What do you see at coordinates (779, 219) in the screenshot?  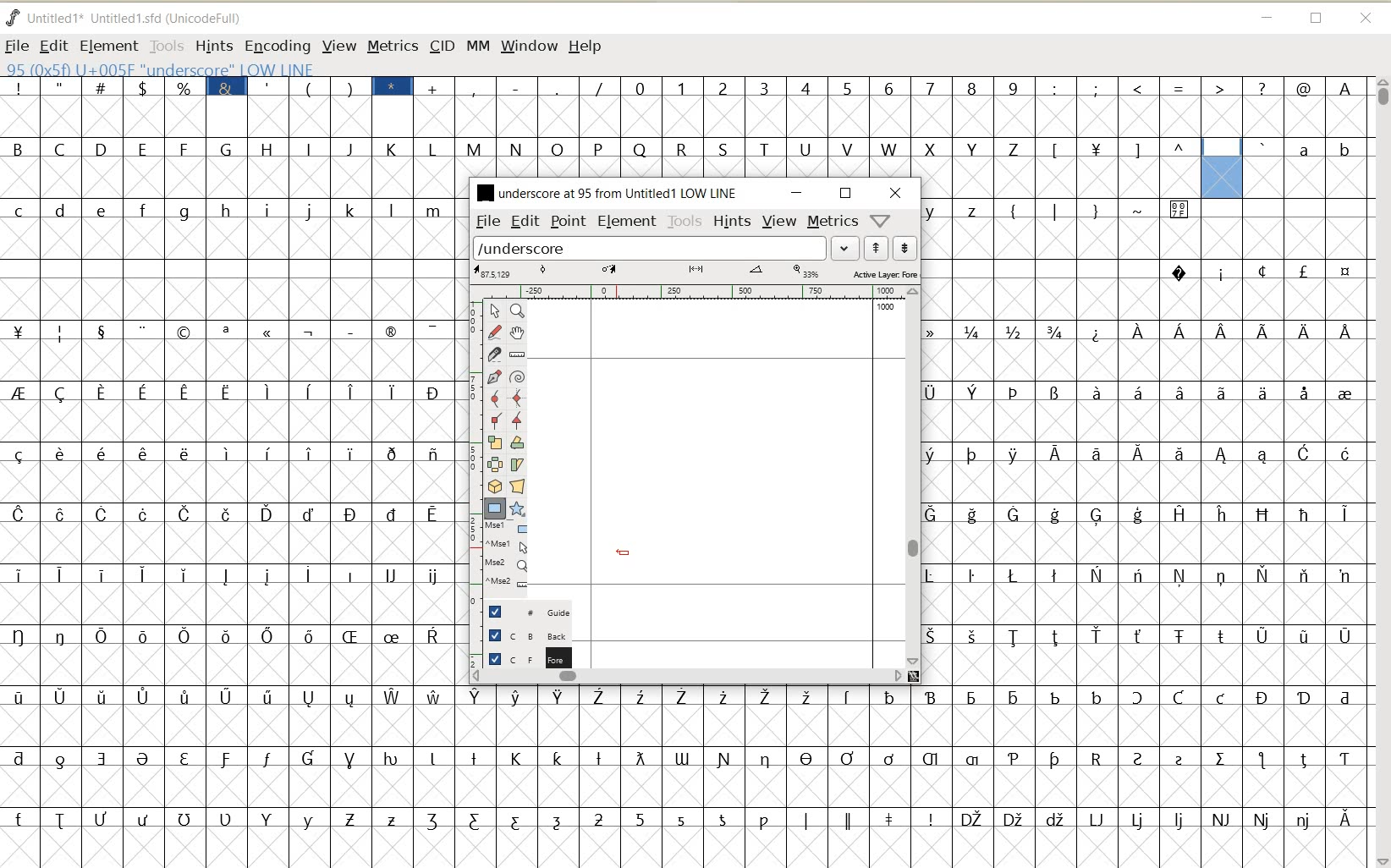 I see `VIEW` at bounding box center [779, 219].